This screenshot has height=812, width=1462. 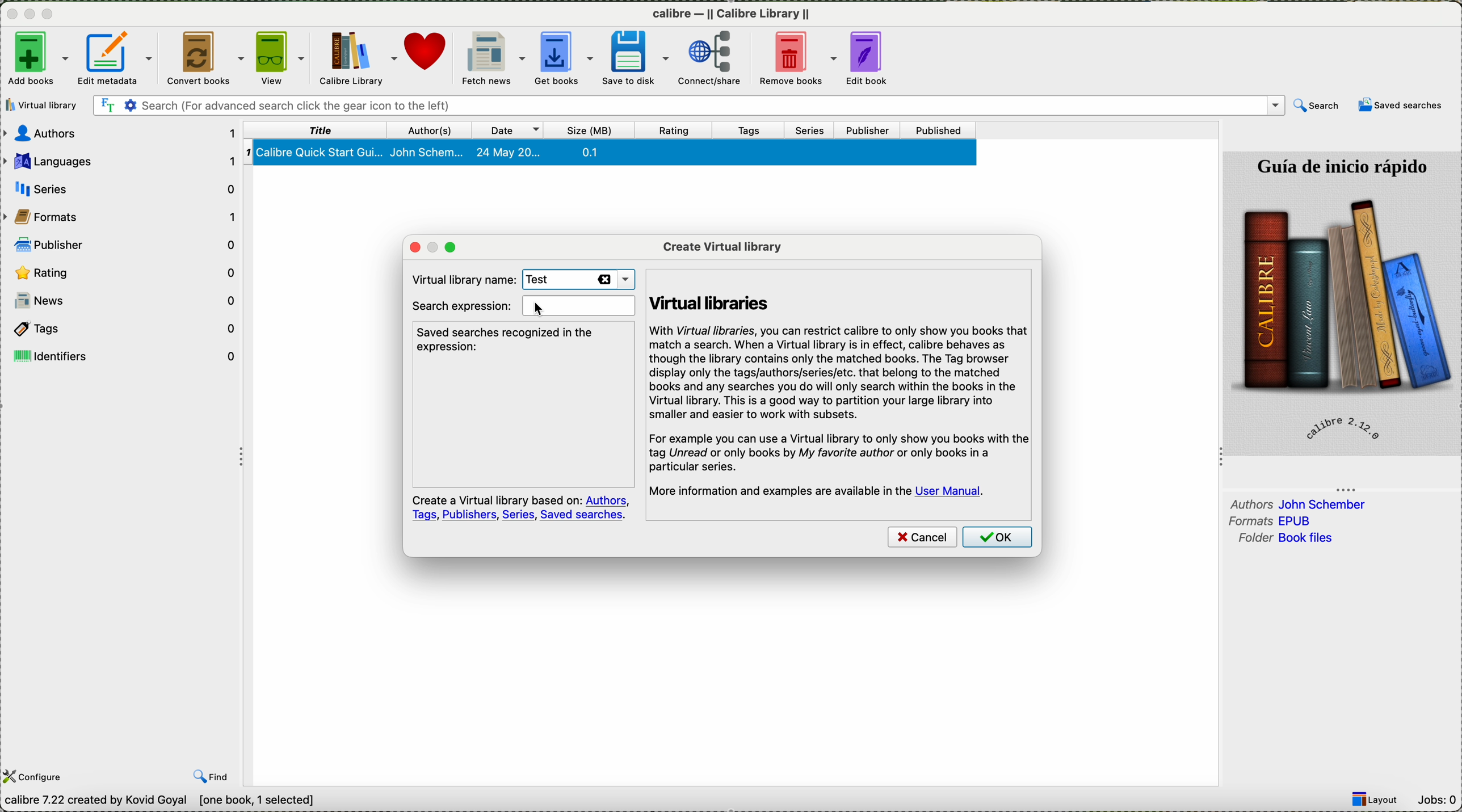 What do you see at coordinates (124, 272) in the screenshot?
I see `rating` at bounding box center [124, 272].